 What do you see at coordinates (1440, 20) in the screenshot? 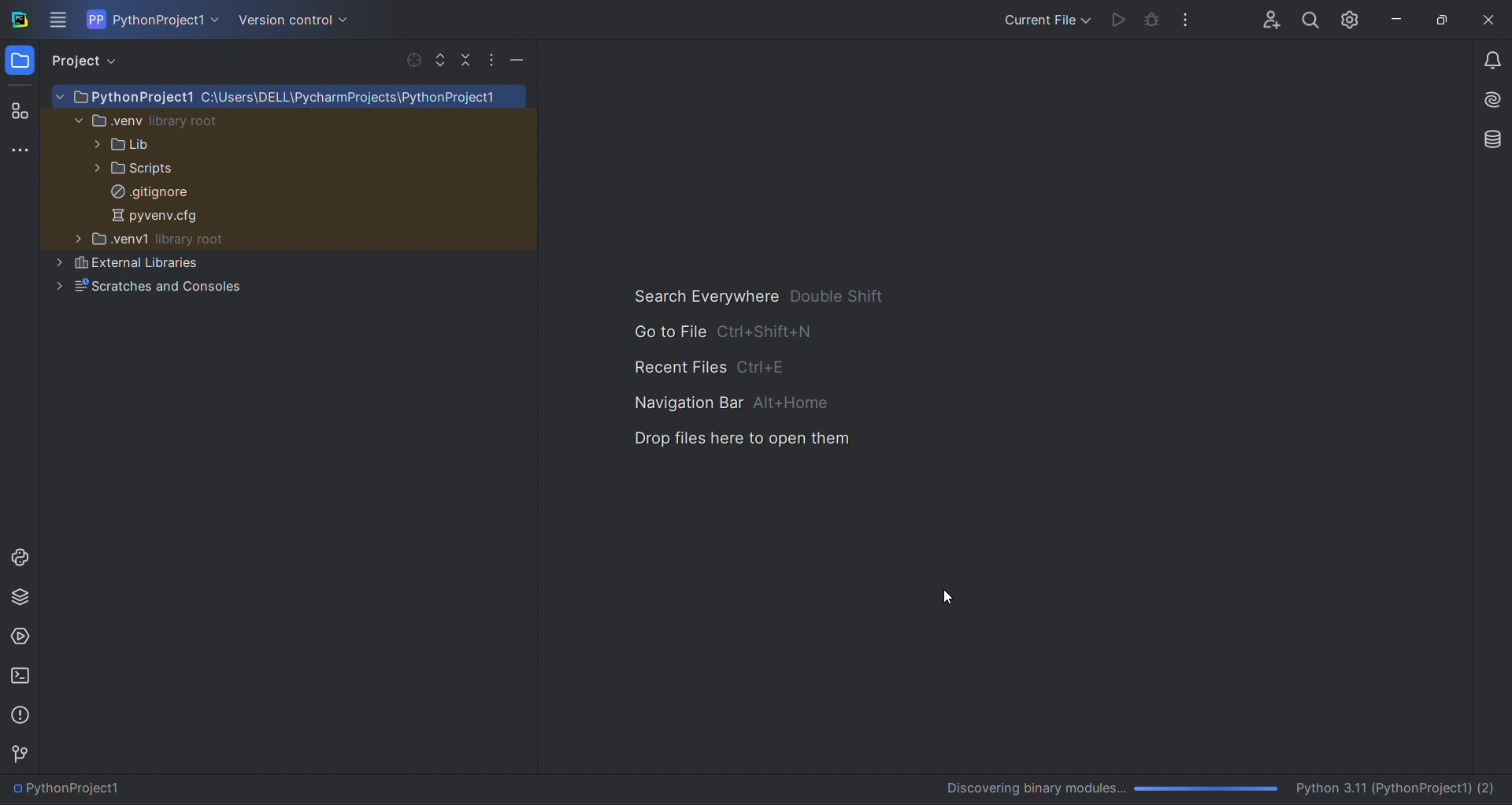
I see `maximize` at bounding box center [1440, 20].